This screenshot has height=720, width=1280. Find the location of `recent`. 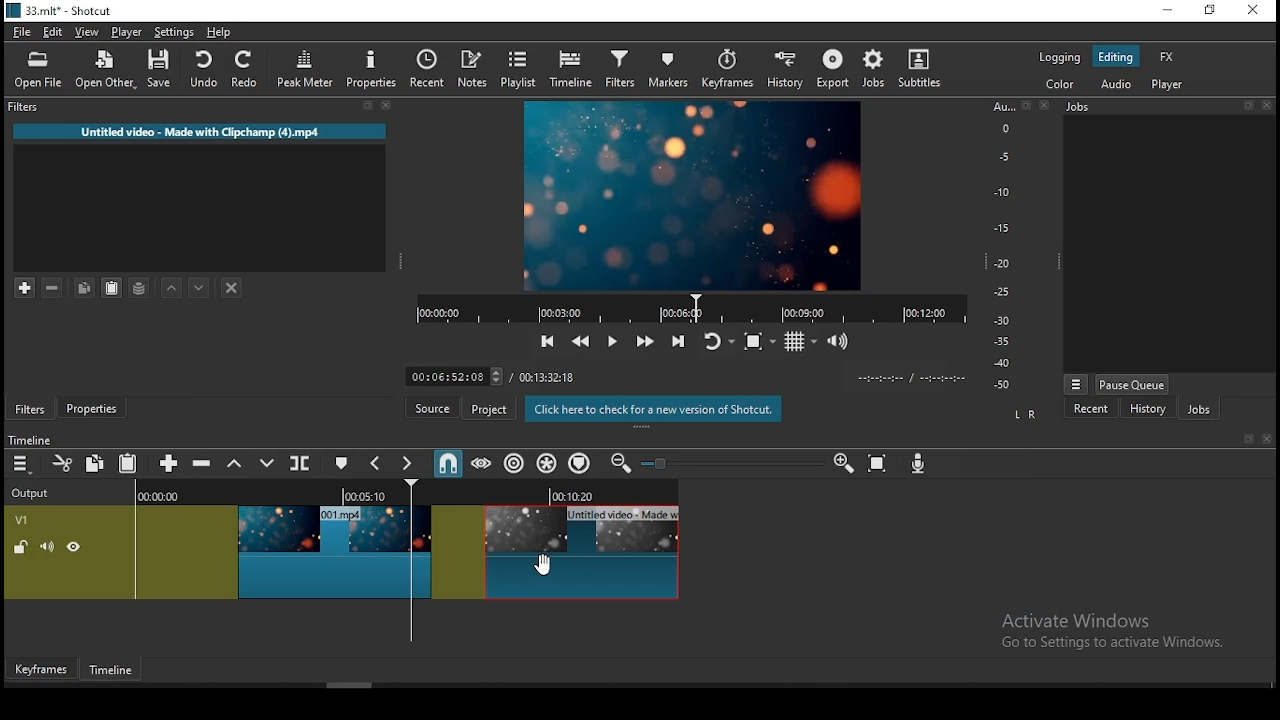

recent is located at coordinates (1088, 409).